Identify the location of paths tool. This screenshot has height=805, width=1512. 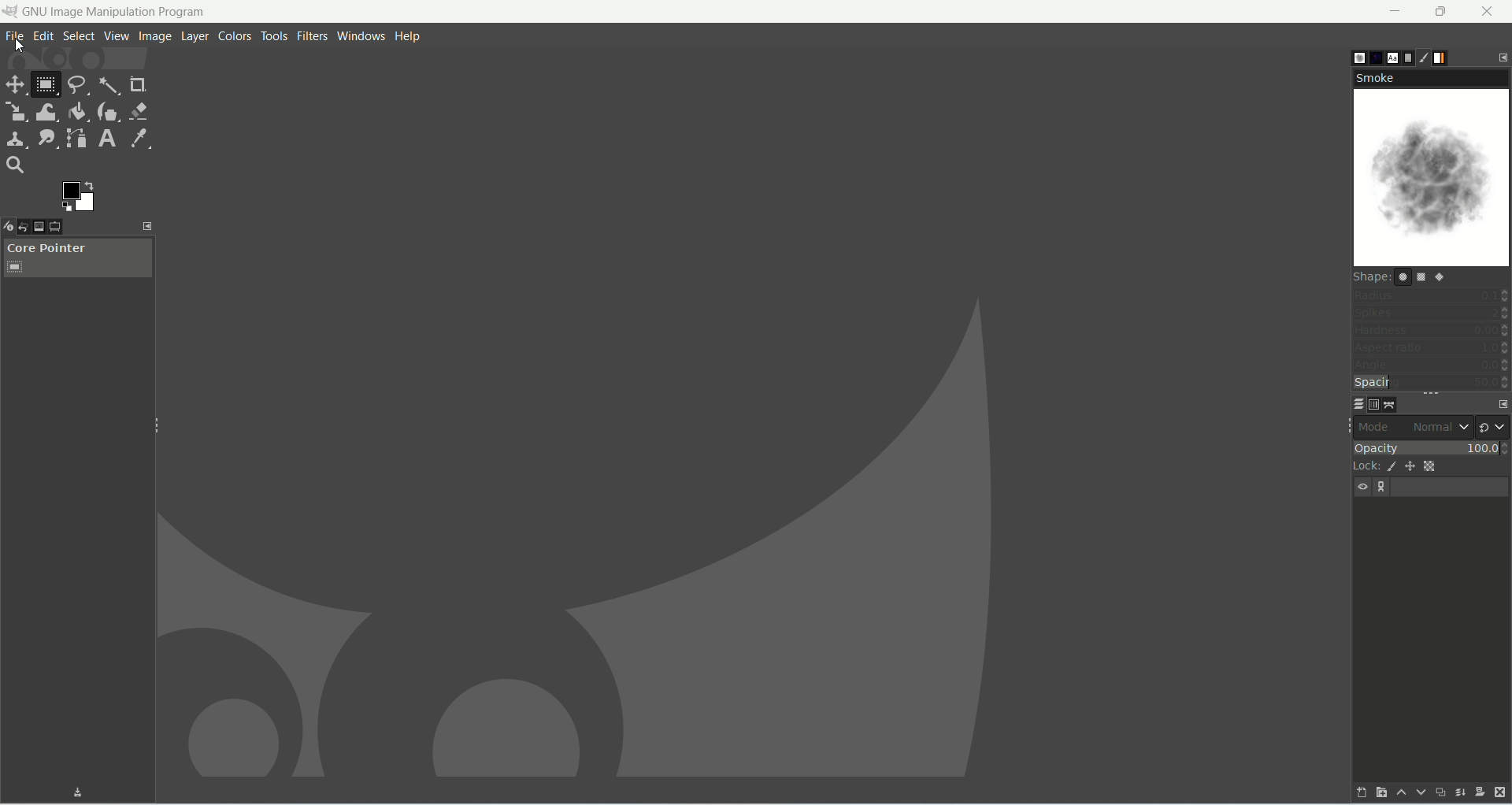
(76, 139).